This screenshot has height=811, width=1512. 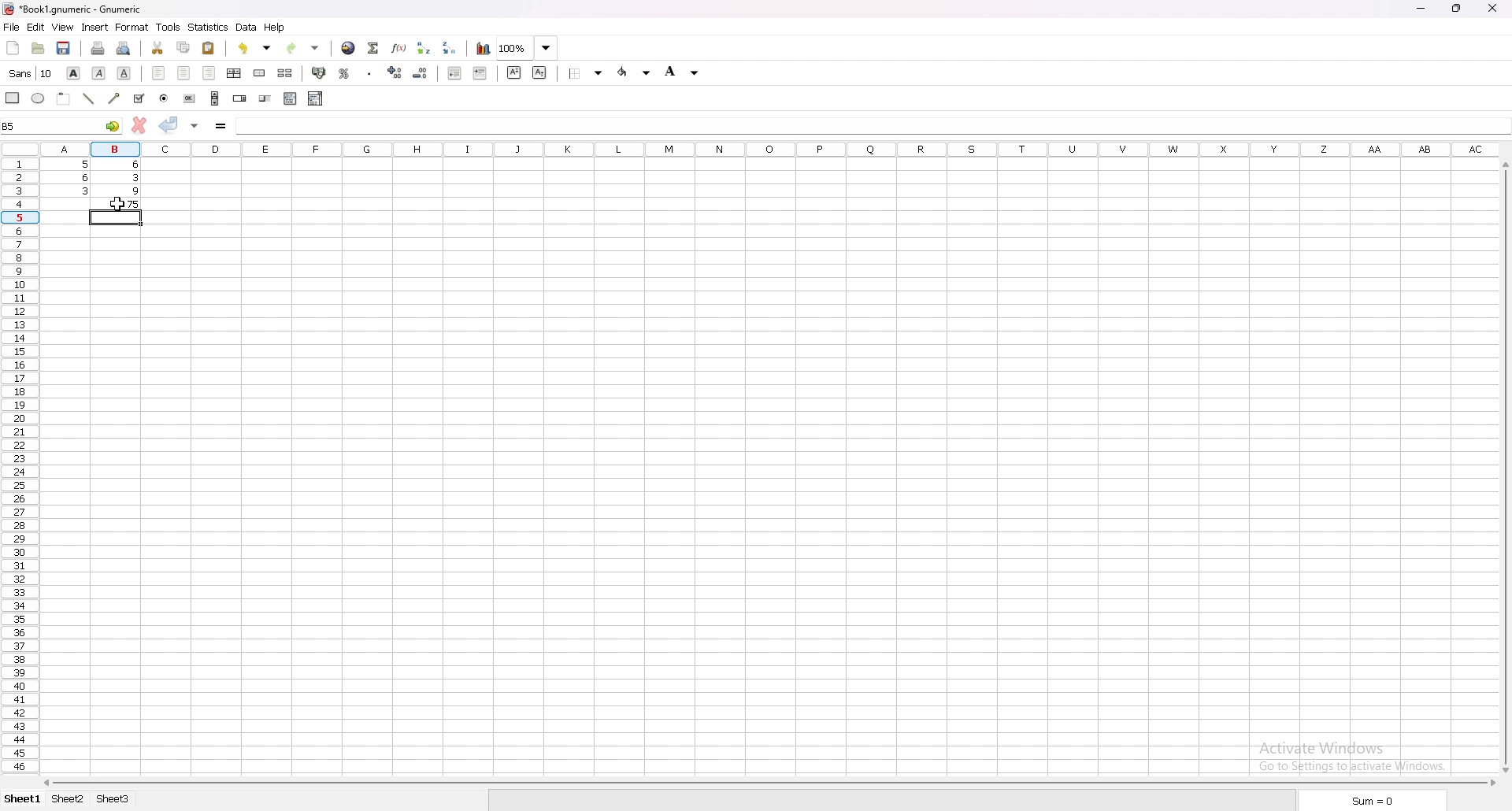 I want to click on edit, so click(x=36, y=27).